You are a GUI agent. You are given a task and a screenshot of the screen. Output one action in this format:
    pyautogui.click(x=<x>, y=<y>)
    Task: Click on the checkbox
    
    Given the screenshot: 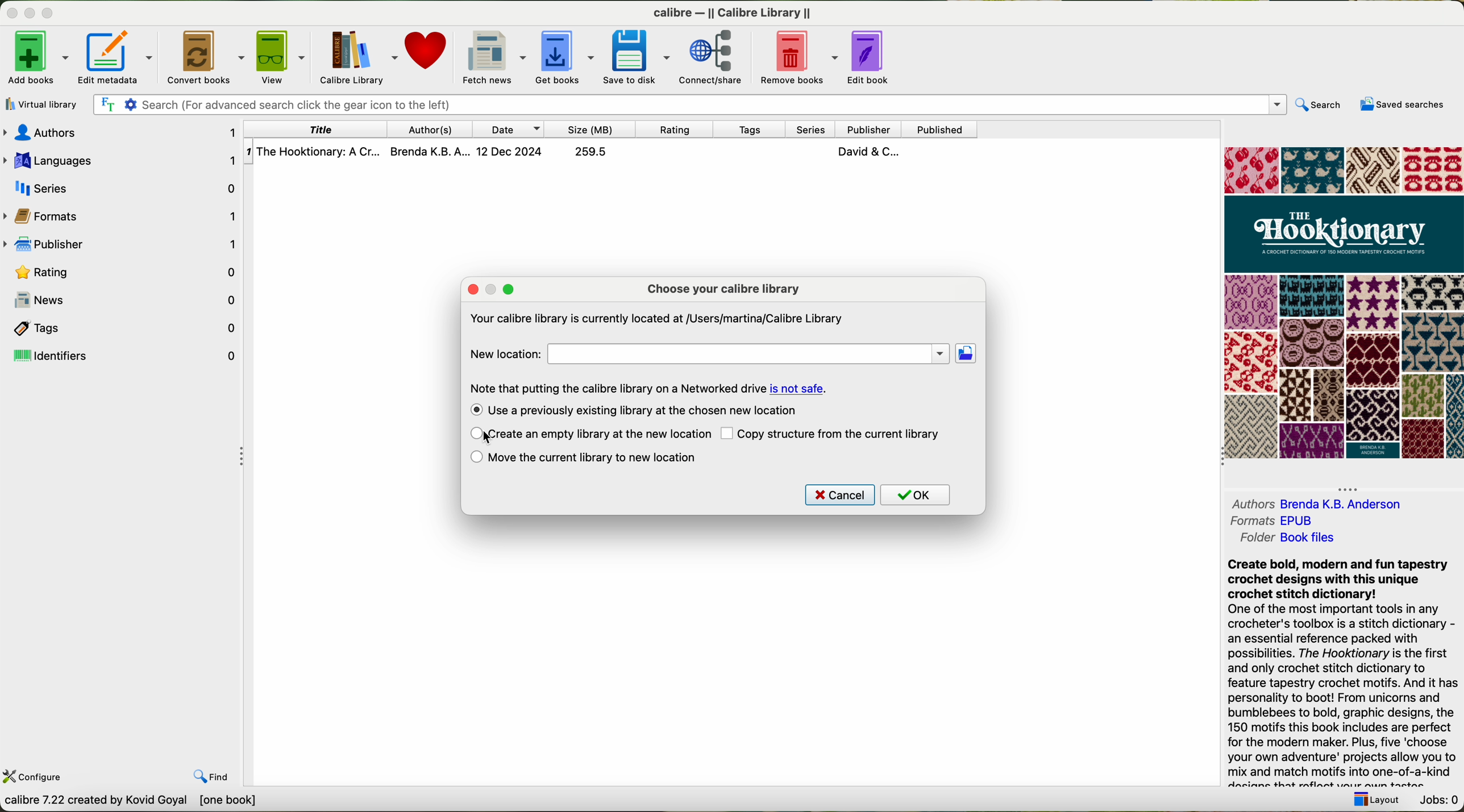 What is the action you would take?
    pyautogui.click(x=727, y=435)
    